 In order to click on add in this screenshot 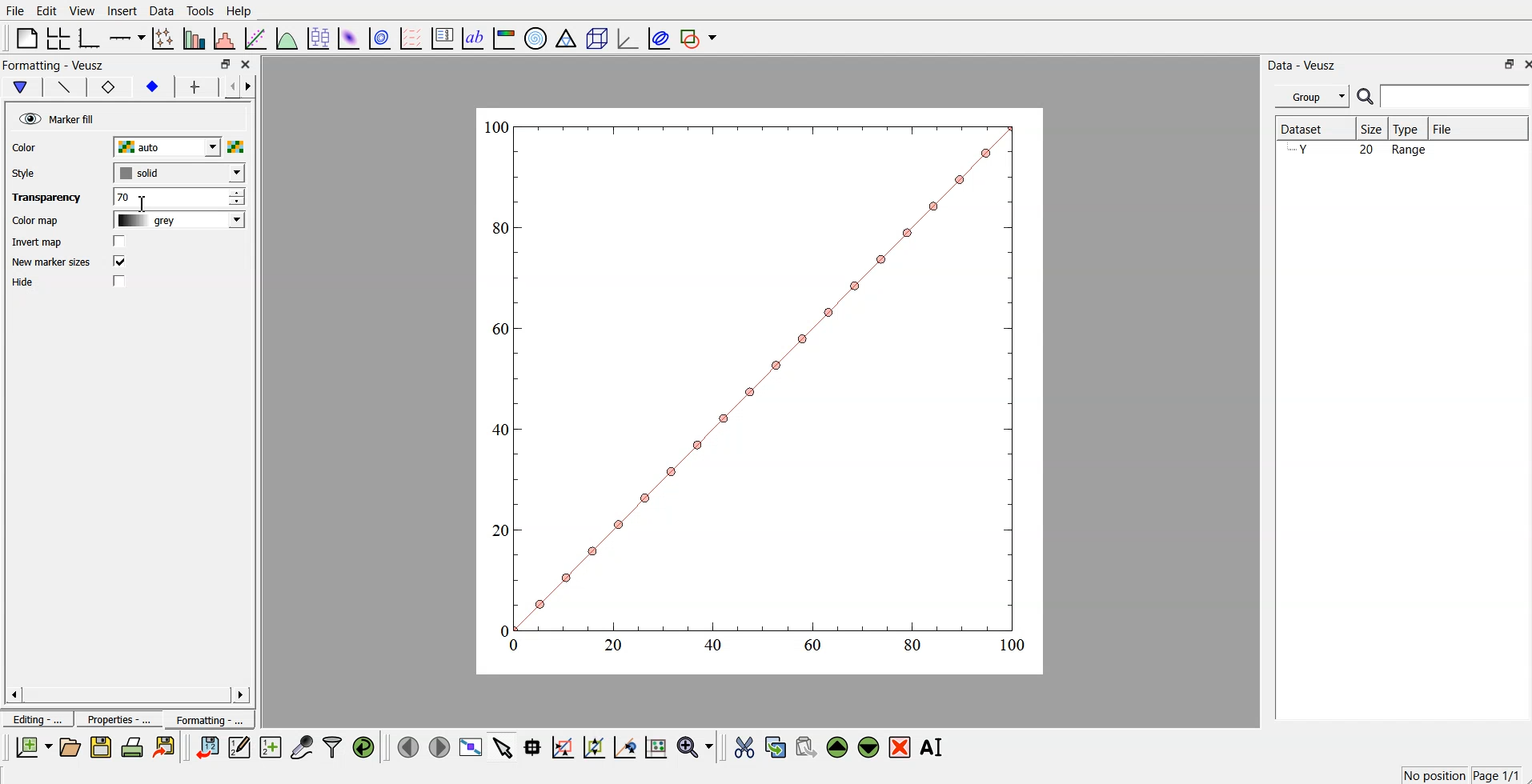, I will do `click(191, 87)`.